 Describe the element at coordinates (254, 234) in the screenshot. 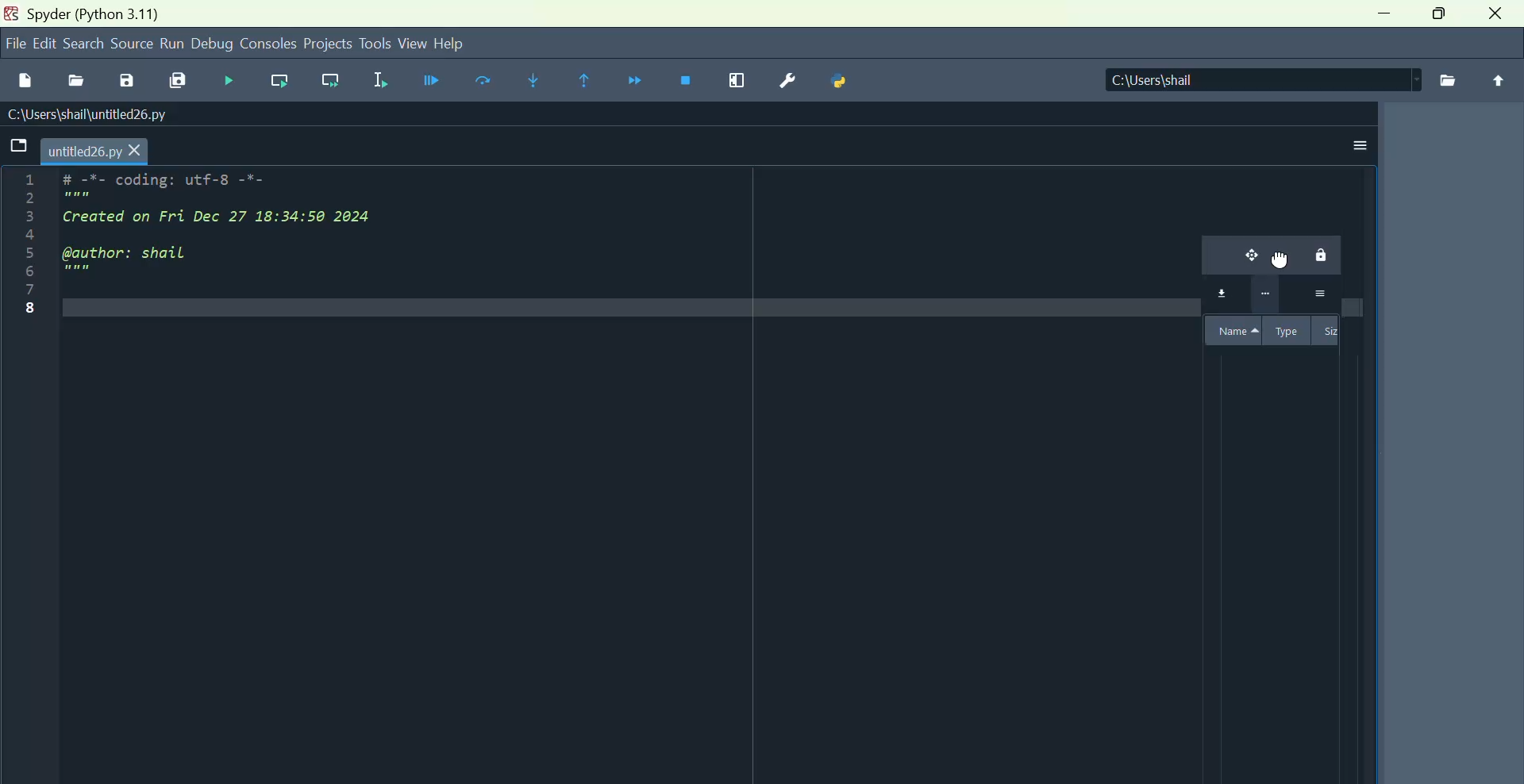

I see `# -*- coding: utf-8 -*-
Created on Fri Dec 27 18:34:50 2024
@author: shail` at that location.